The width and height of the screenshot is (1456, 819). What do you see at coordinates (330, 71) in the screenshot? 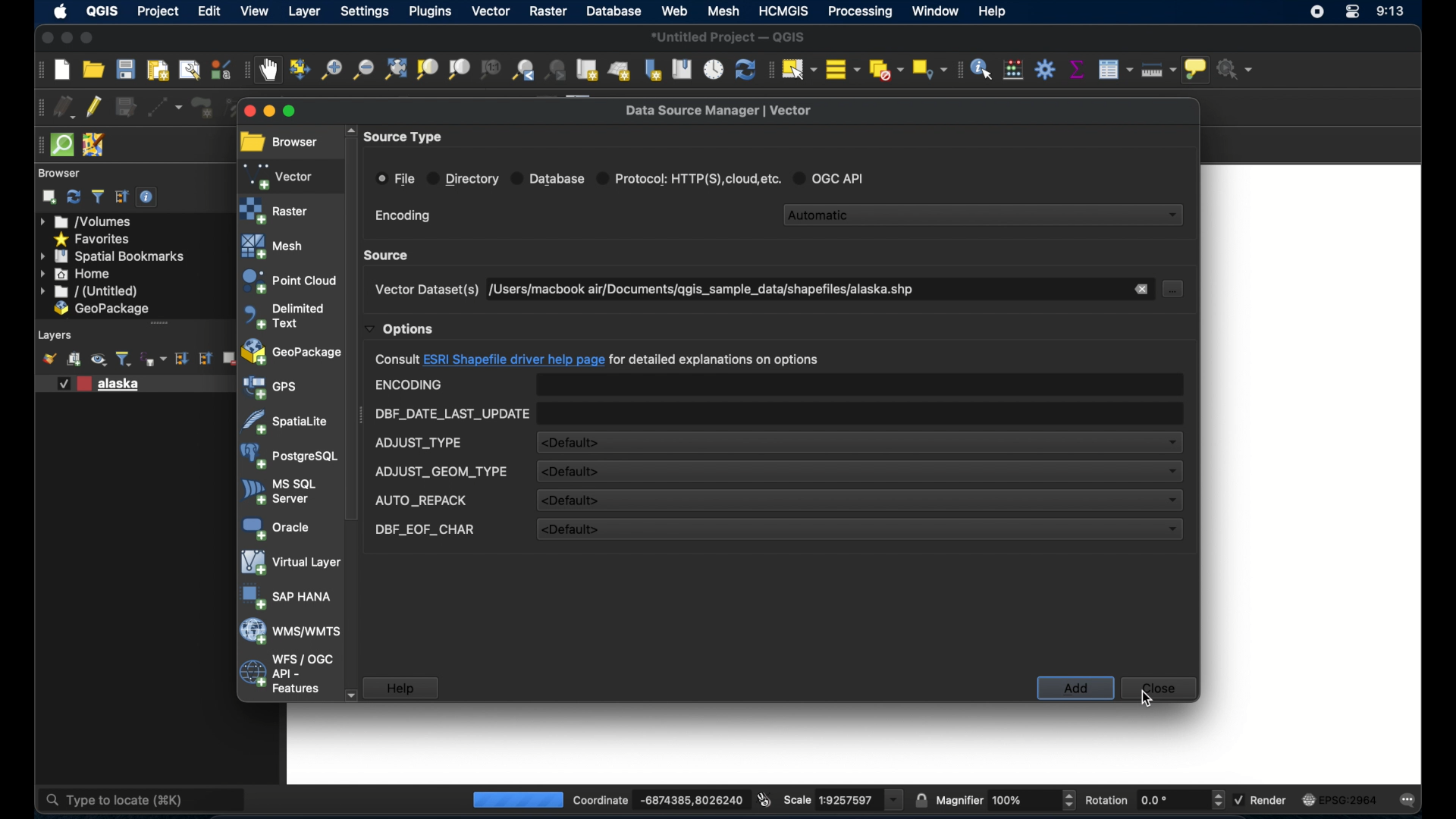
I see `zoom in` at bounding box center [330, 71].